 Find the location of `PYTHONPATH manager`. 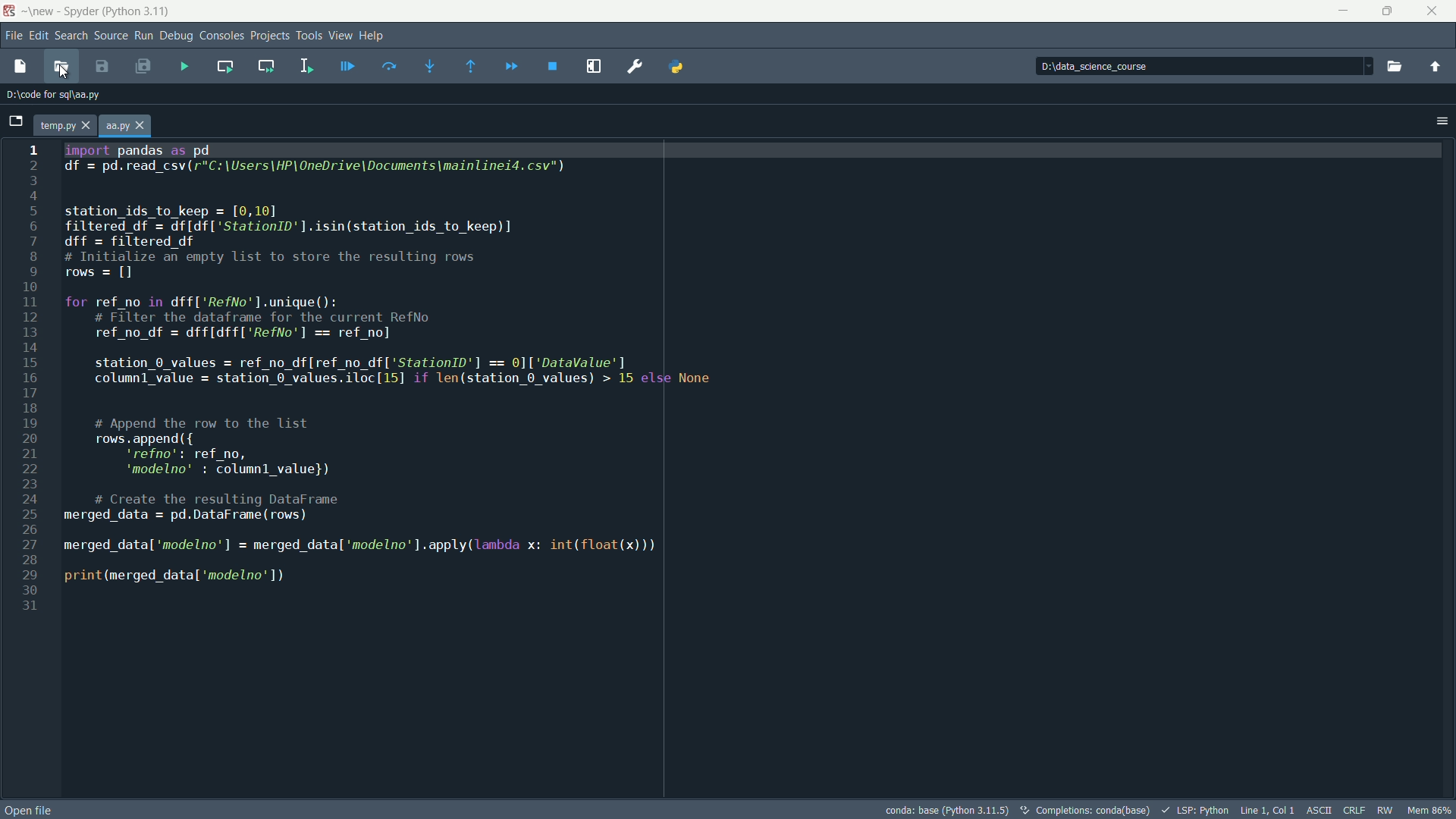

PYTHONPATH manager is located at coordinates (680, 67).